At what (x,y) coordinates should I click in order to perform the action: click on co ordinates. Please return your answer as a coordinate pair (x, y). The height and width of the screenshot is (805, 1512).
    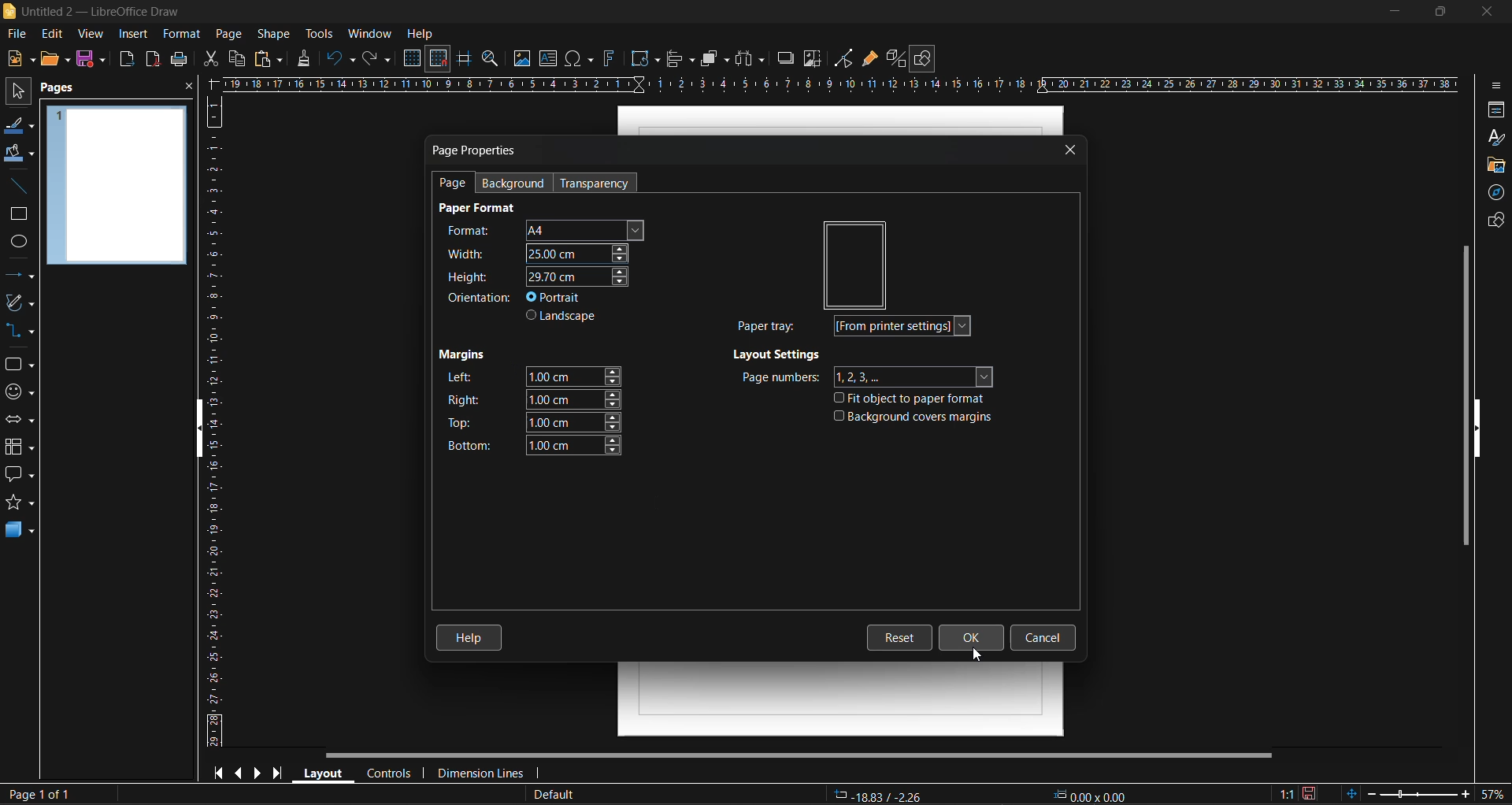
    Looking at the image, I should click on (983, 796).